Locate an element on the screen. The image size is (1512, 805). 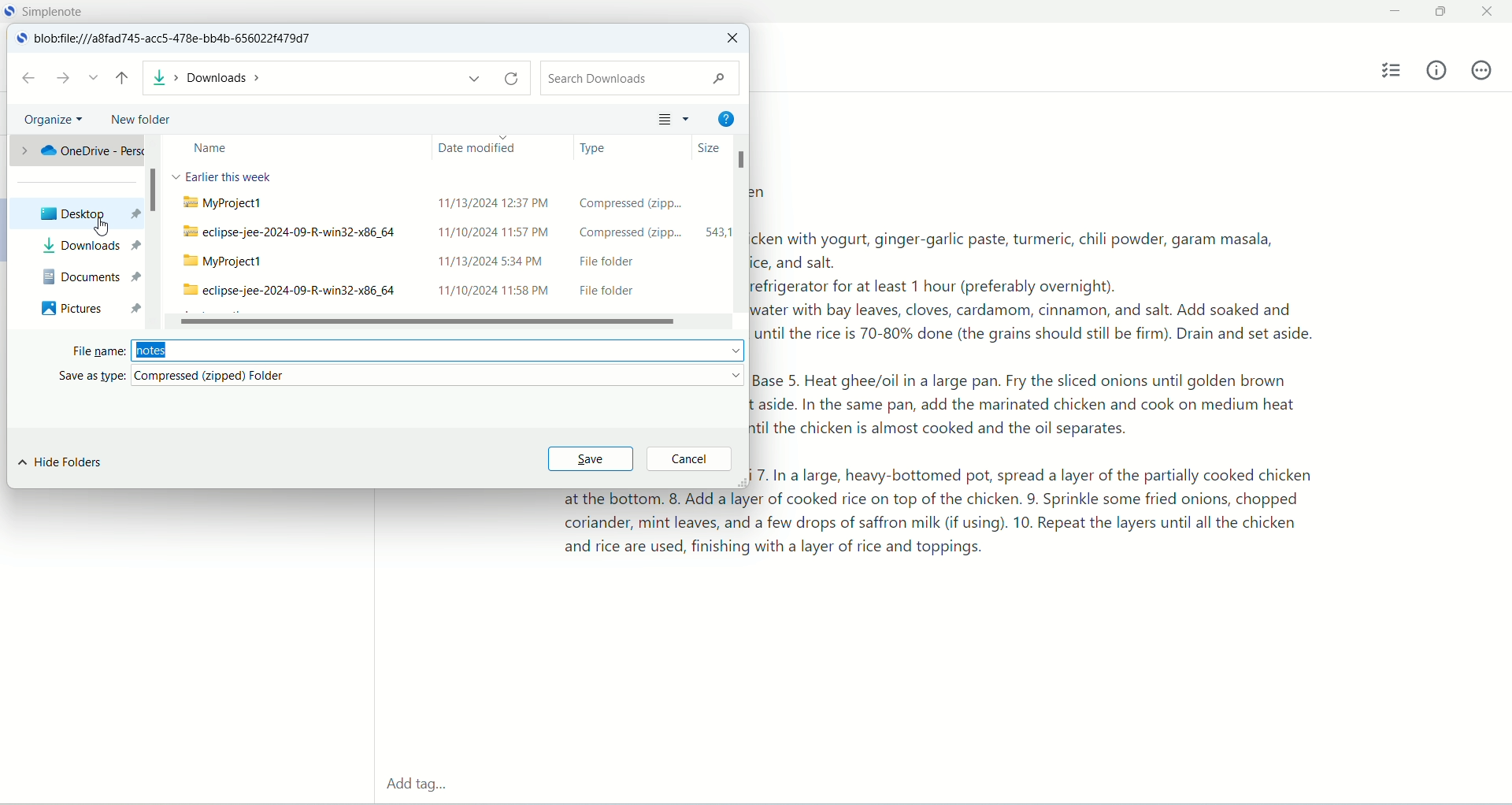
minimize is located at coordinates (1392, 12).